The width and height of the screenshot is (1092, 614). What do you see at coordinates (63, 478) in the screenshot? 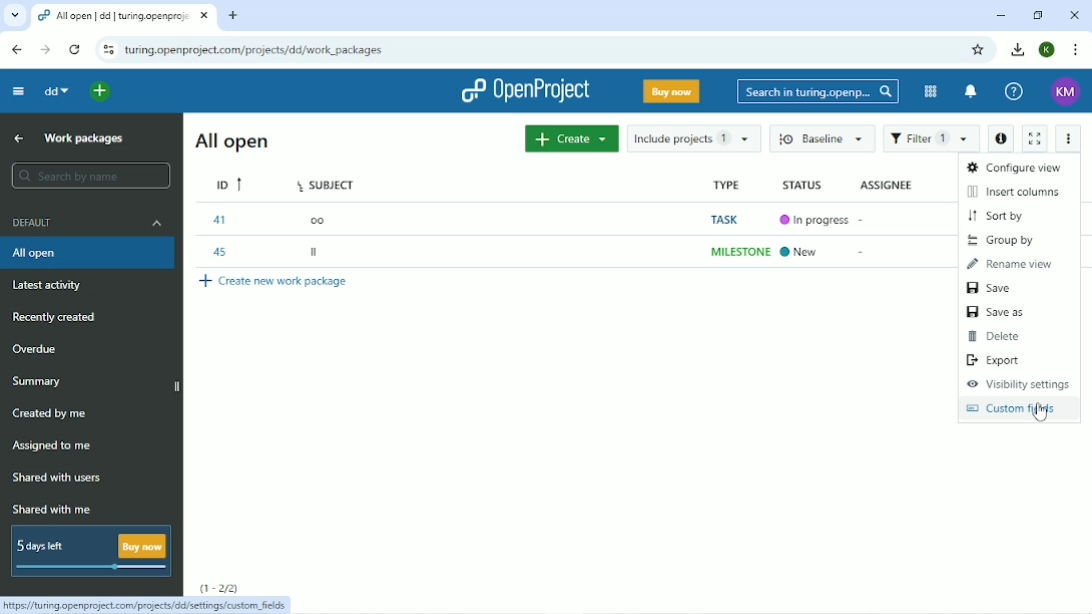
I see `Shared with users` at bounding box center [63, 478].